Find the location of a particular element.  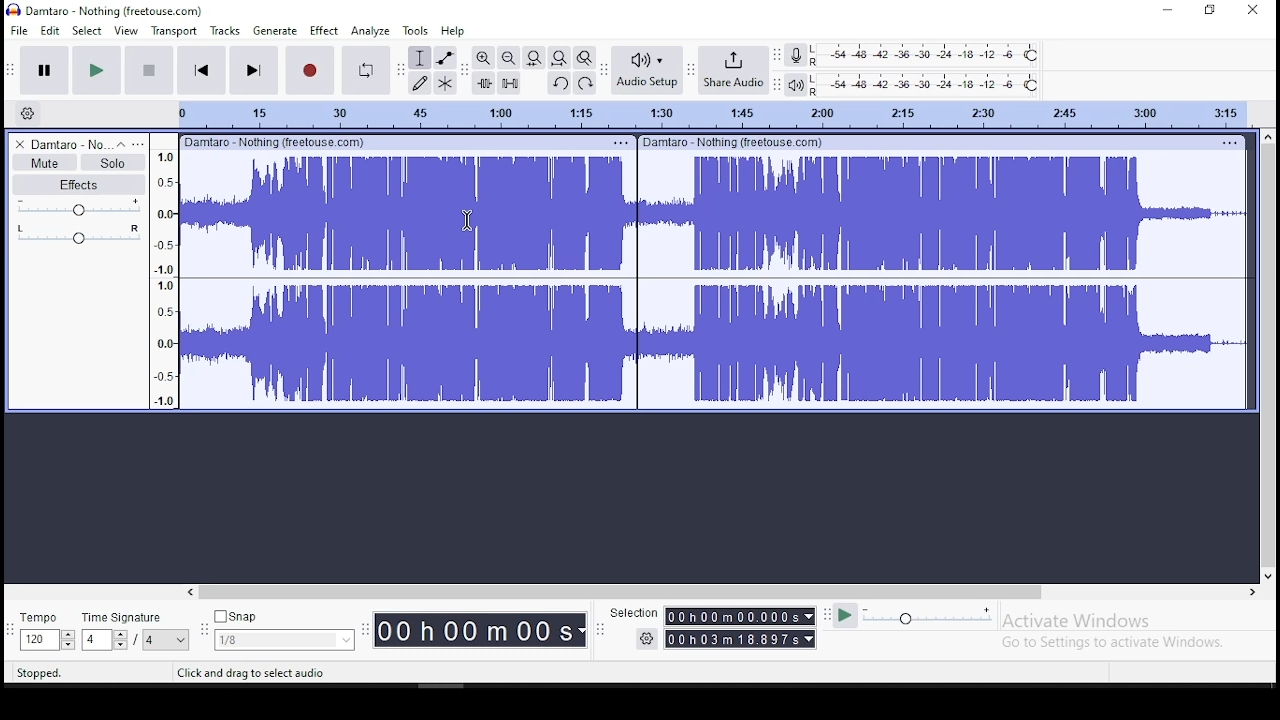

effects is located at coordinates (78, 185).